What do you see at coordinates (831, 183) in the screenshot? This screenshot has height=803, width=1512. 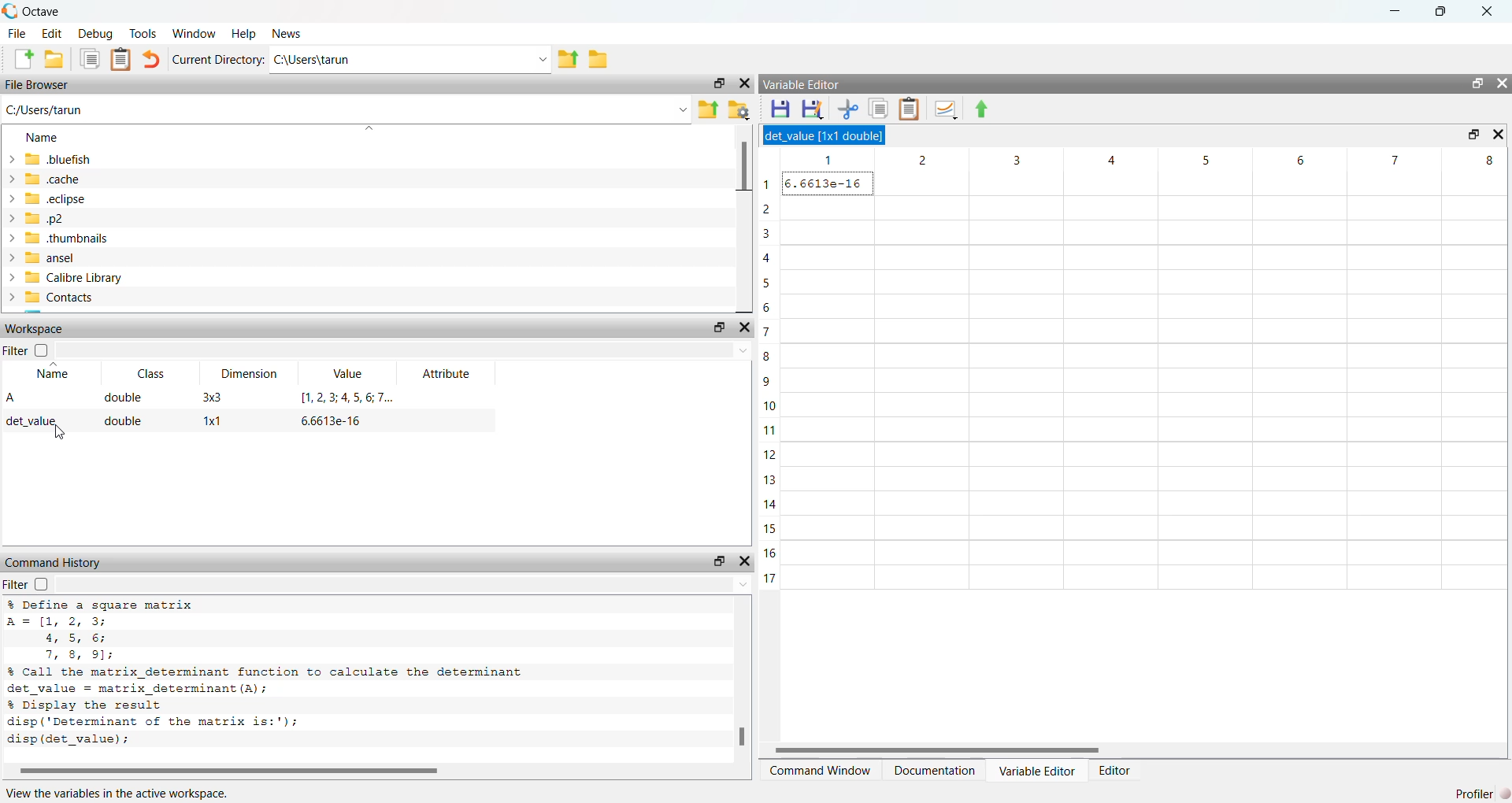 I see ` 6.6613e-16` at bounding box center [831, 183].